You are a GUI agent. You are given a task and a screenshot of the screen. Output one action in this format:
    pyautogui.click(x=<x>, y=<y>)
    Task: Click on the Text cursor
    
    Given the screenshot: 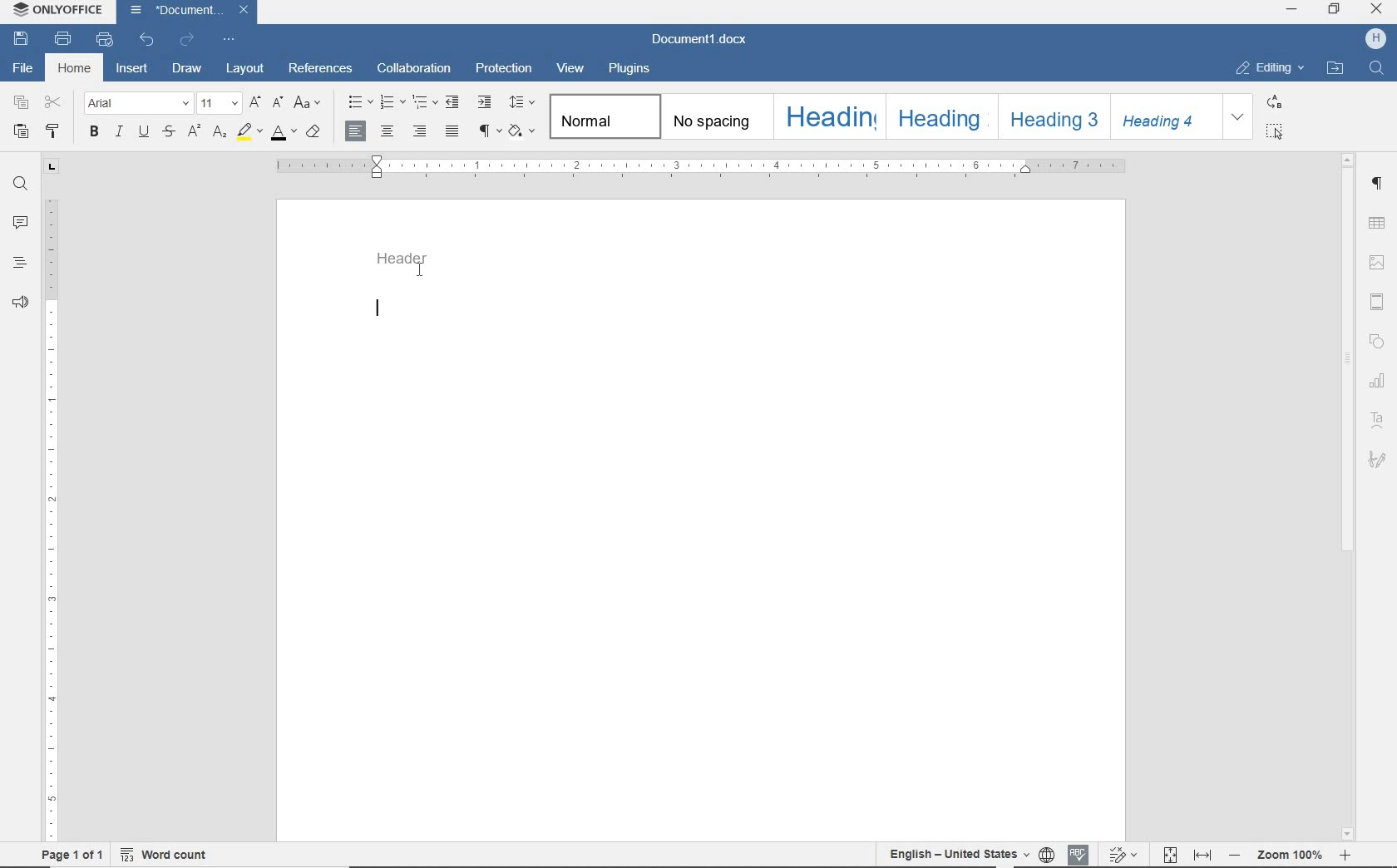 What is the action you would take?
    pyautogui.click(x=423, y=269)
    